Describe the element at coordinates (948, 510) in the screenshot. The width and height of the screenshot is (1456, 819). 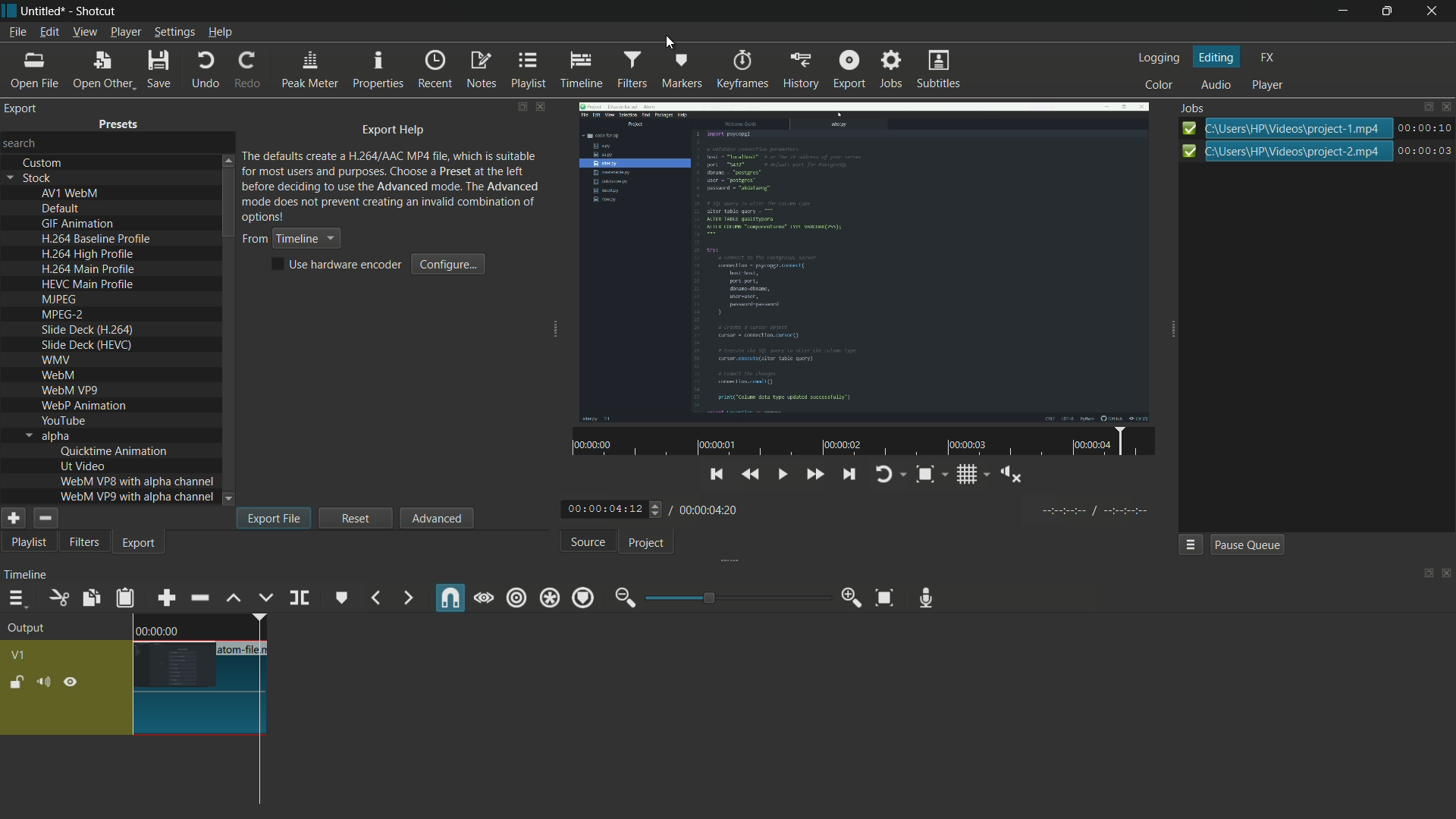
I see `toggle play or pause` at that location.